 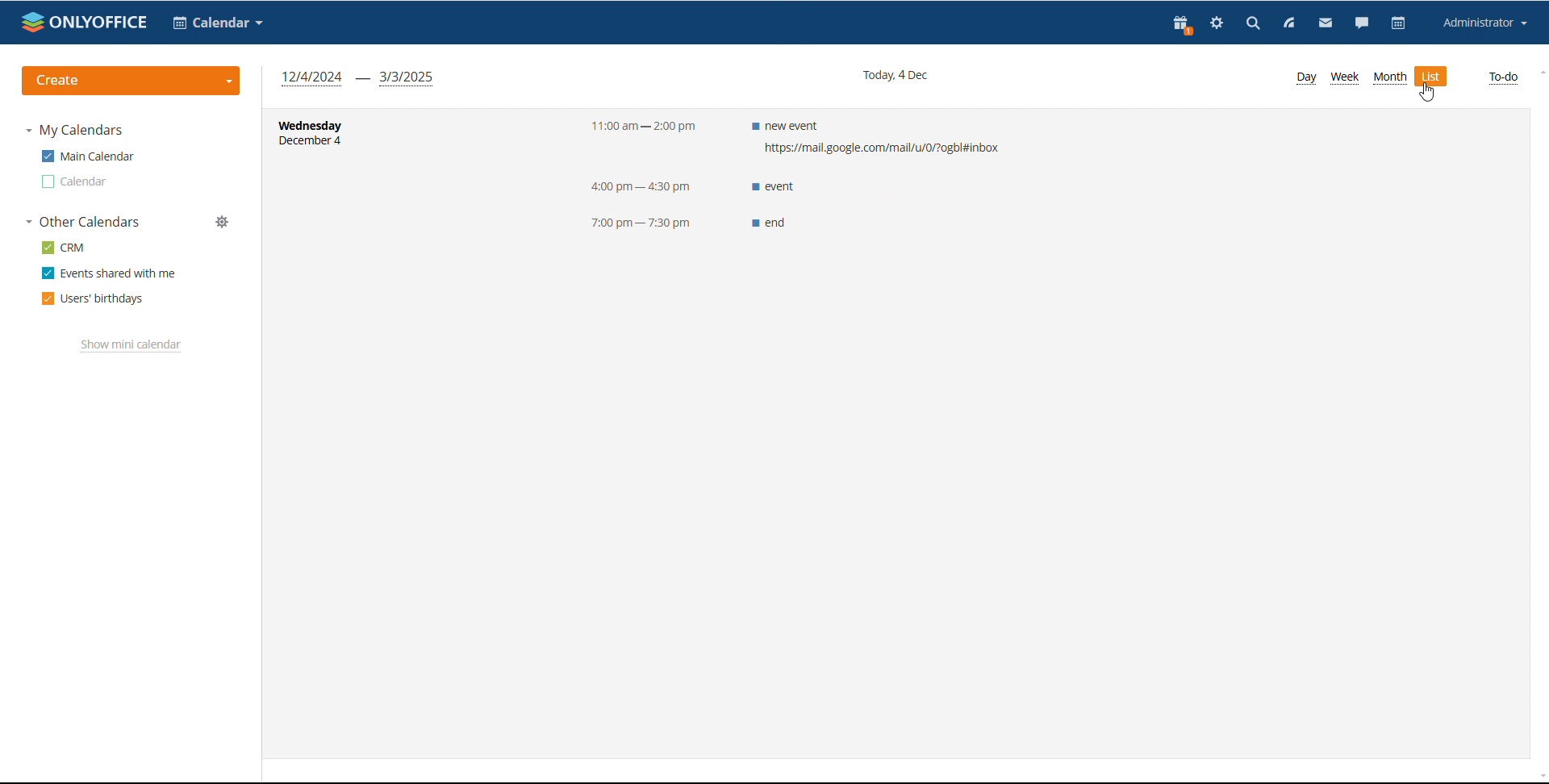 I want to click on month view, so click(x=1389, y=77).